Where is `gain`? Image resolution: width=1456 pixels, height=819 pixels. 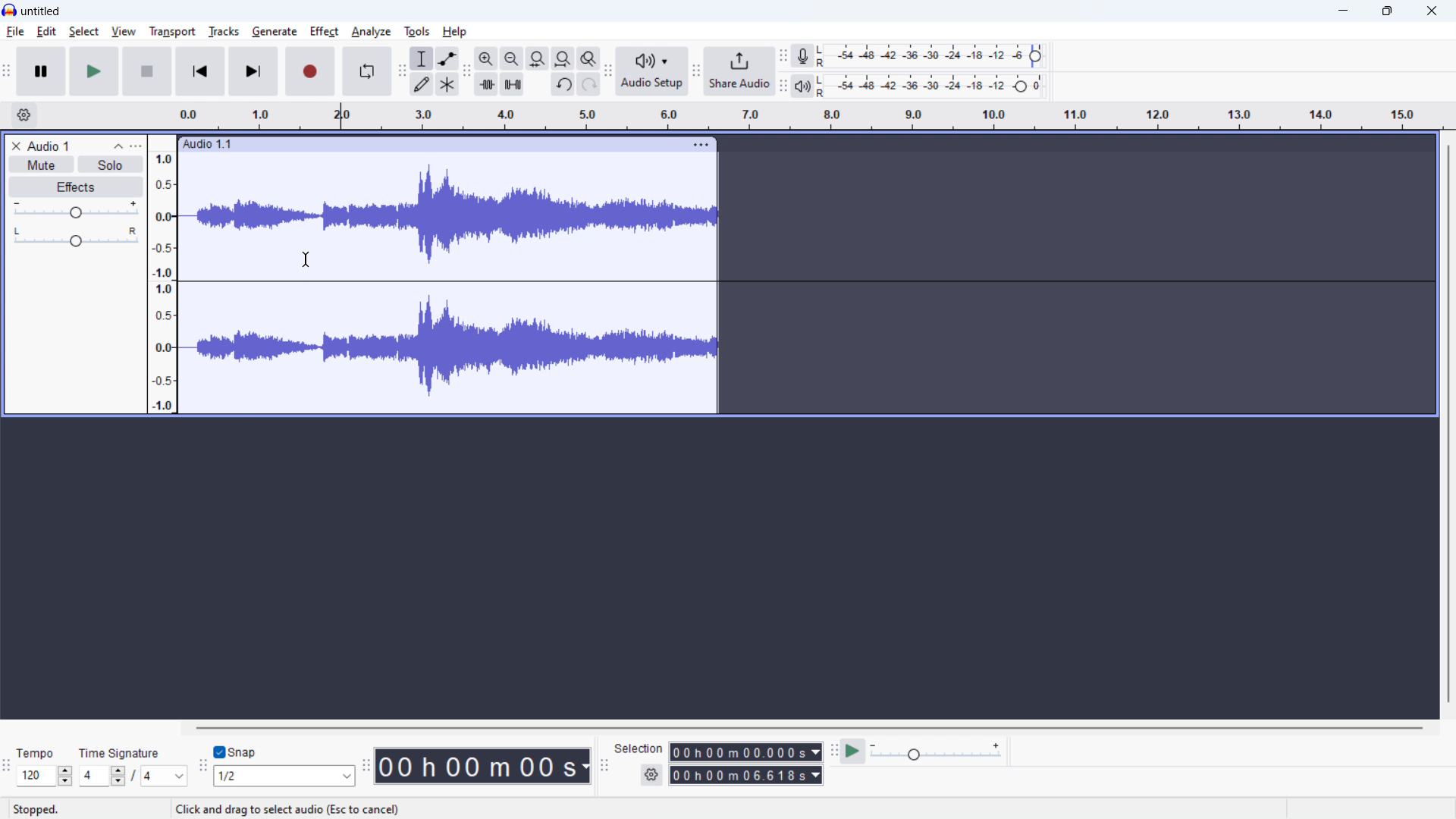 gain is located at coordinates (77, 209).